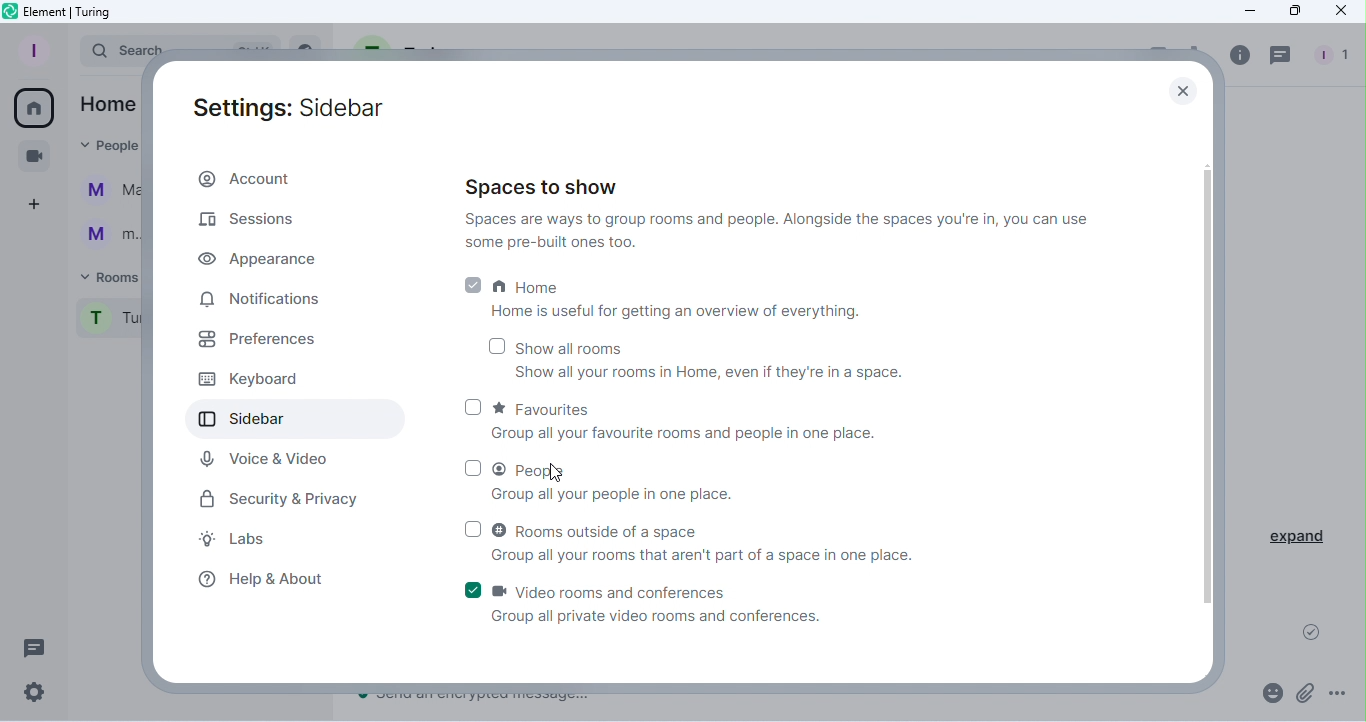  I want to click on m...@t..., so click(106, 235).